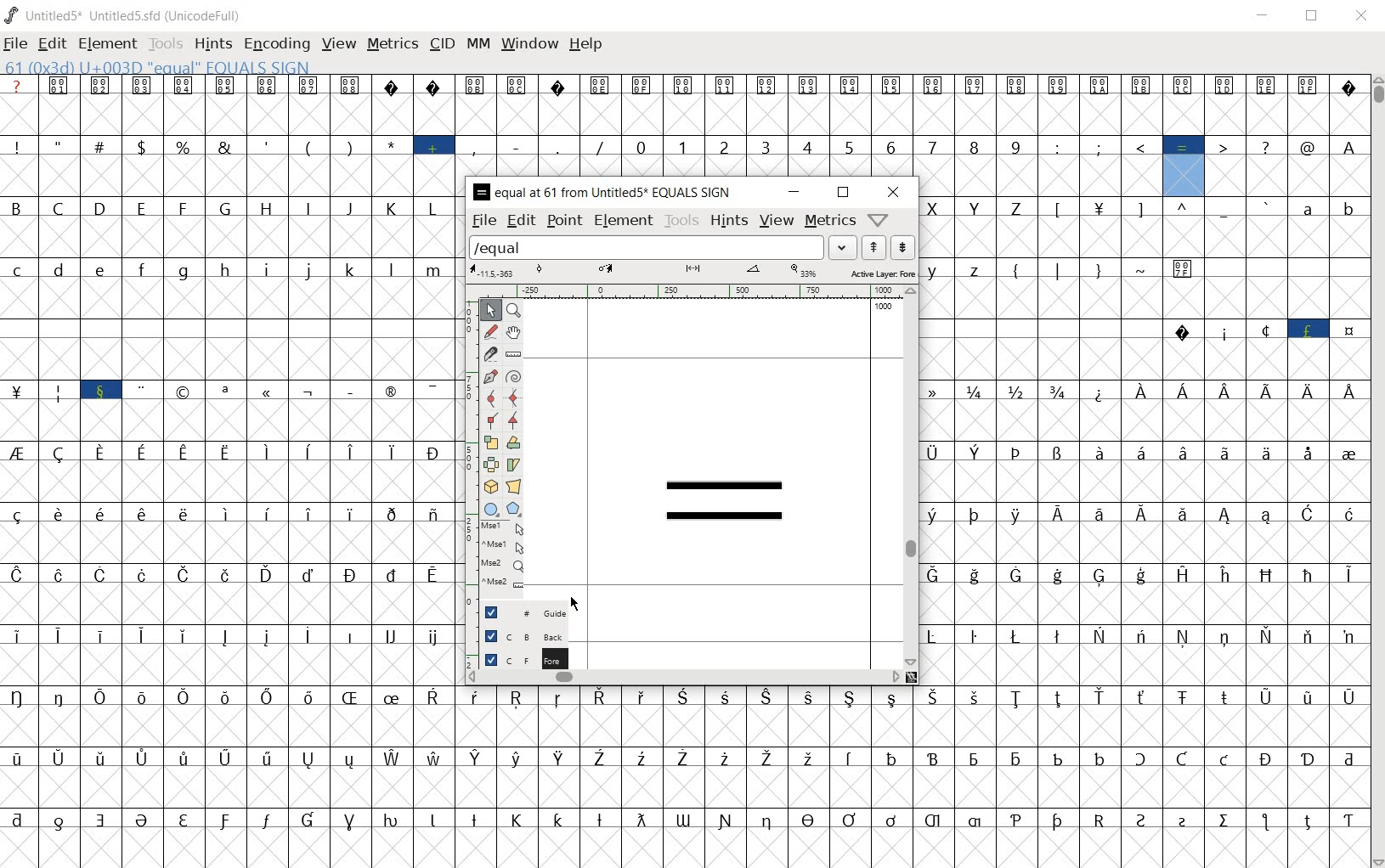  What do you see at coordinates (514, 397) in the screenshot?
I see `add a curve point always either horizontal or vertical` at bounding box center [514, 397].